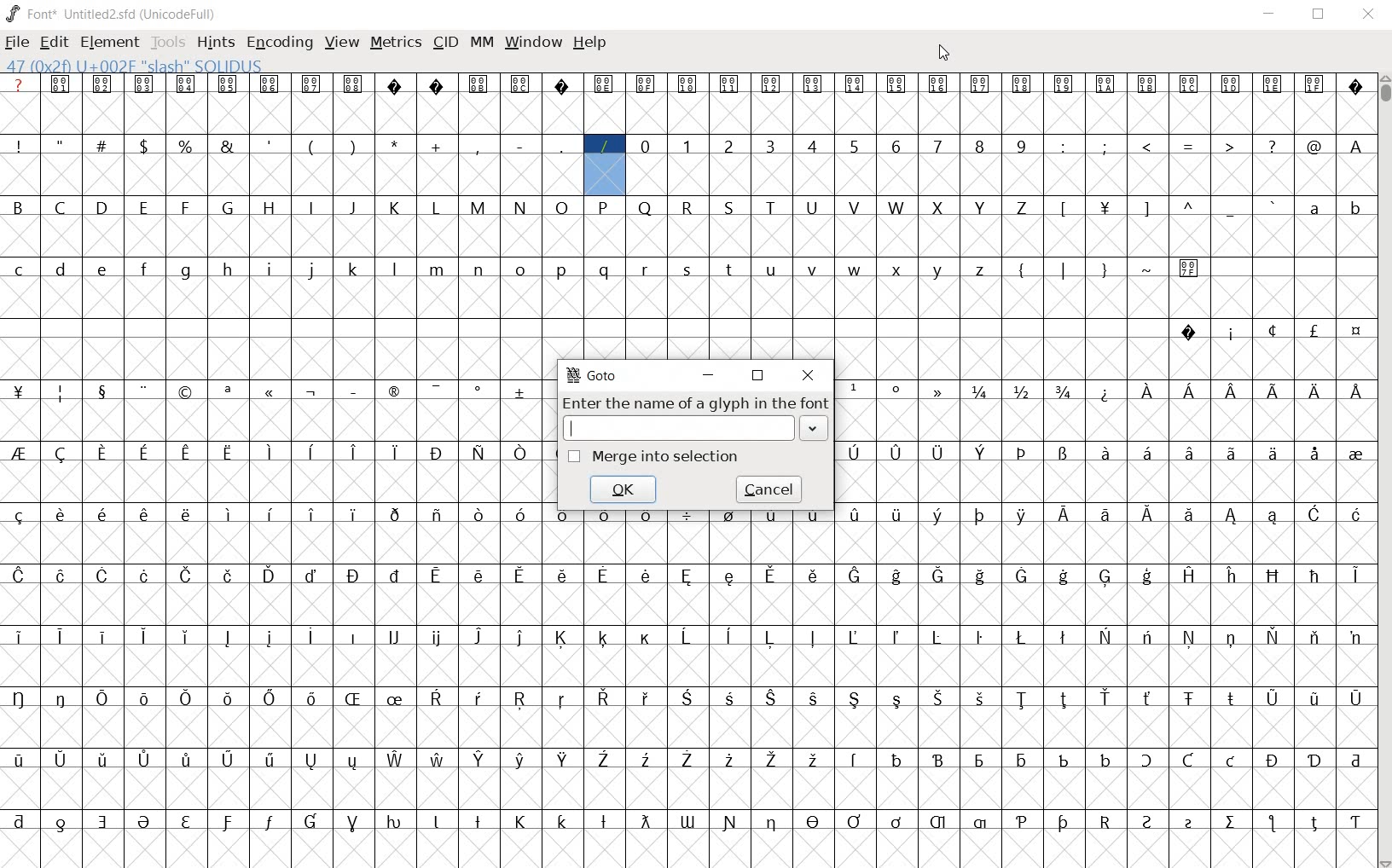 The image size is (1392, 868). What do you see at coordinates (478, 392) in the screenshot?
I see `glyph` at bounding box center [478, 392].